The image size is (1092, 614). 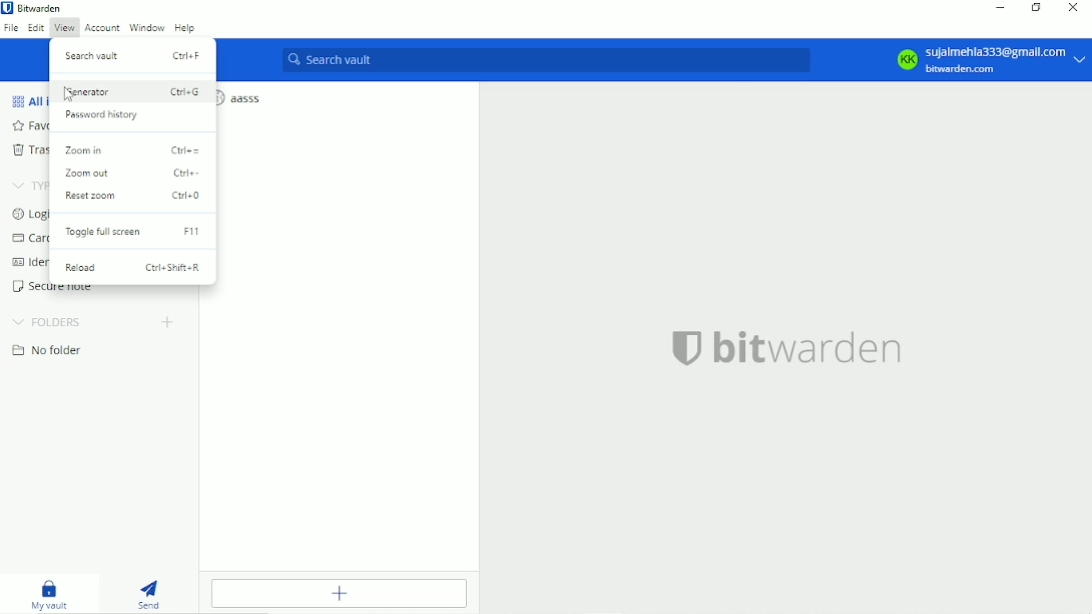 What do you see at coordinates (53, 353) in the screenshot?
I see `No folder` at bounding box center [53, 353].